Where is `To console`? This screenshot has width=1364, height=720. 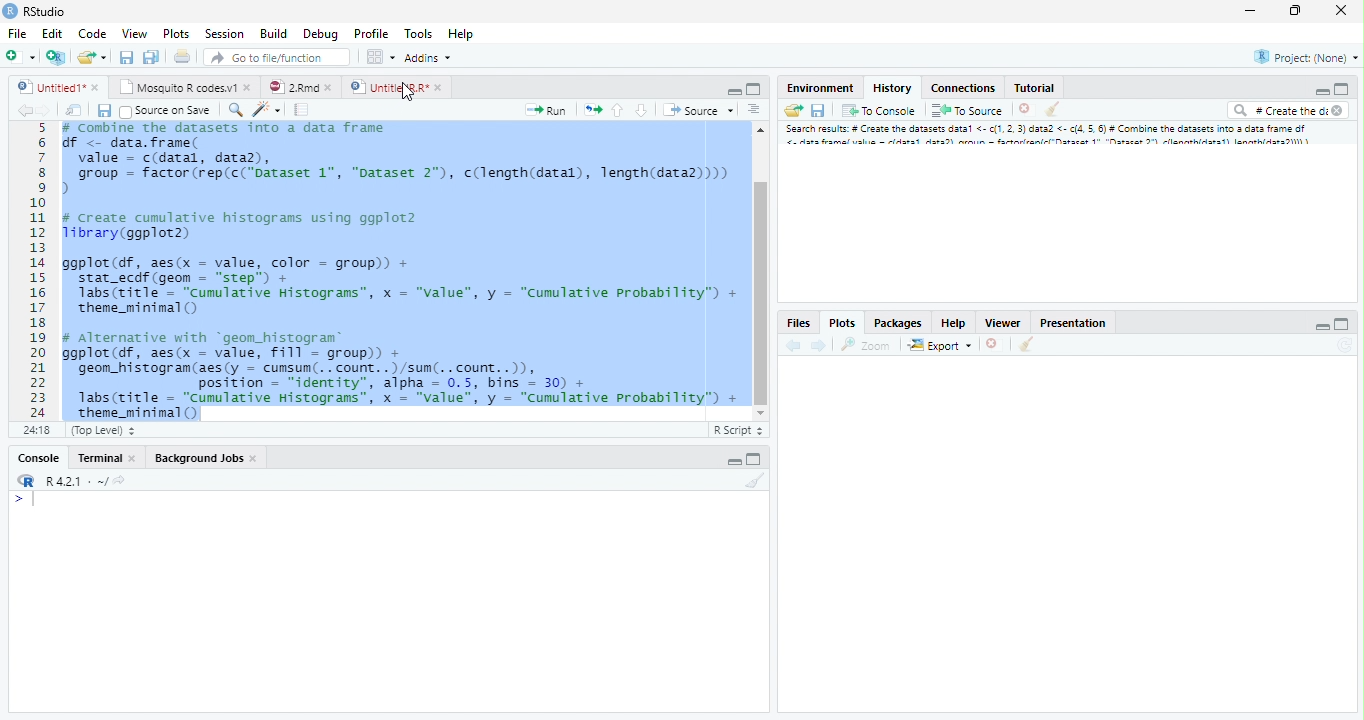 To console is located at coordinates (881, 111).